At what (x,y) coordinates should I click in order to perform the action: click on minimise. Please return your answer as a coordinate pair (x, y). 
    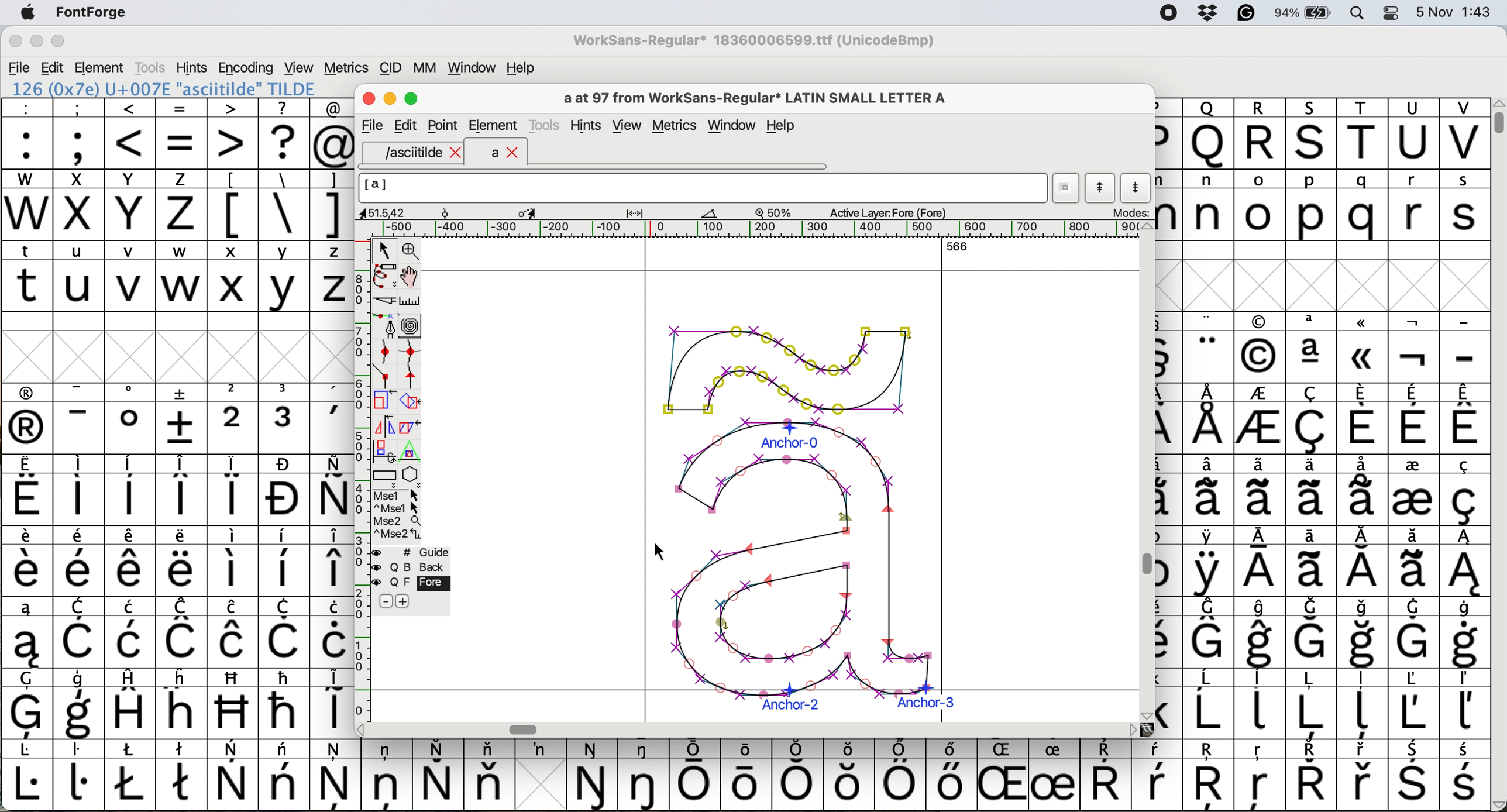
    Looking at the image, I should click on (35, 42).